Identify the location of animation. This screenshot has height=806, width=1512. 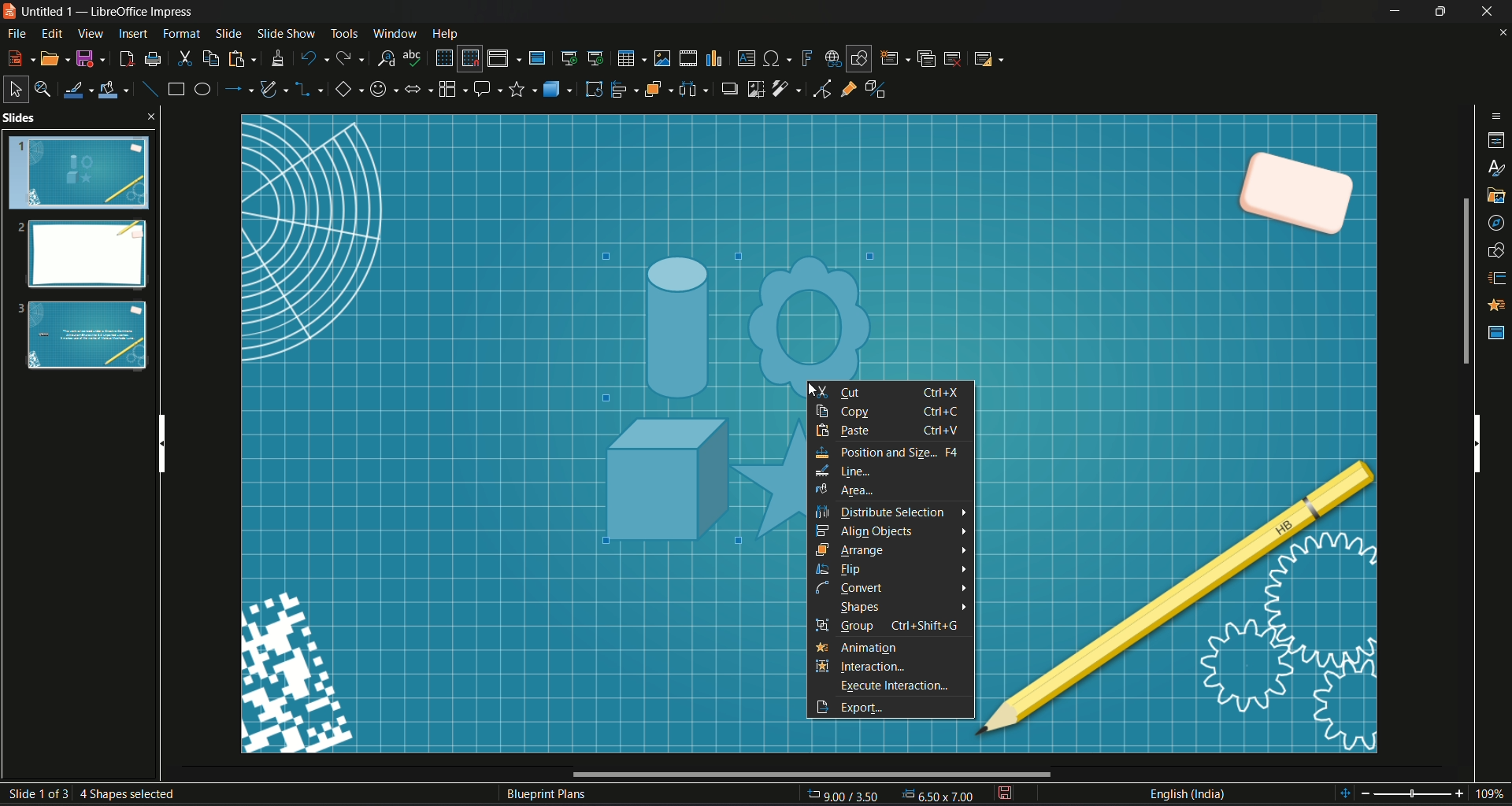
(868, 649).